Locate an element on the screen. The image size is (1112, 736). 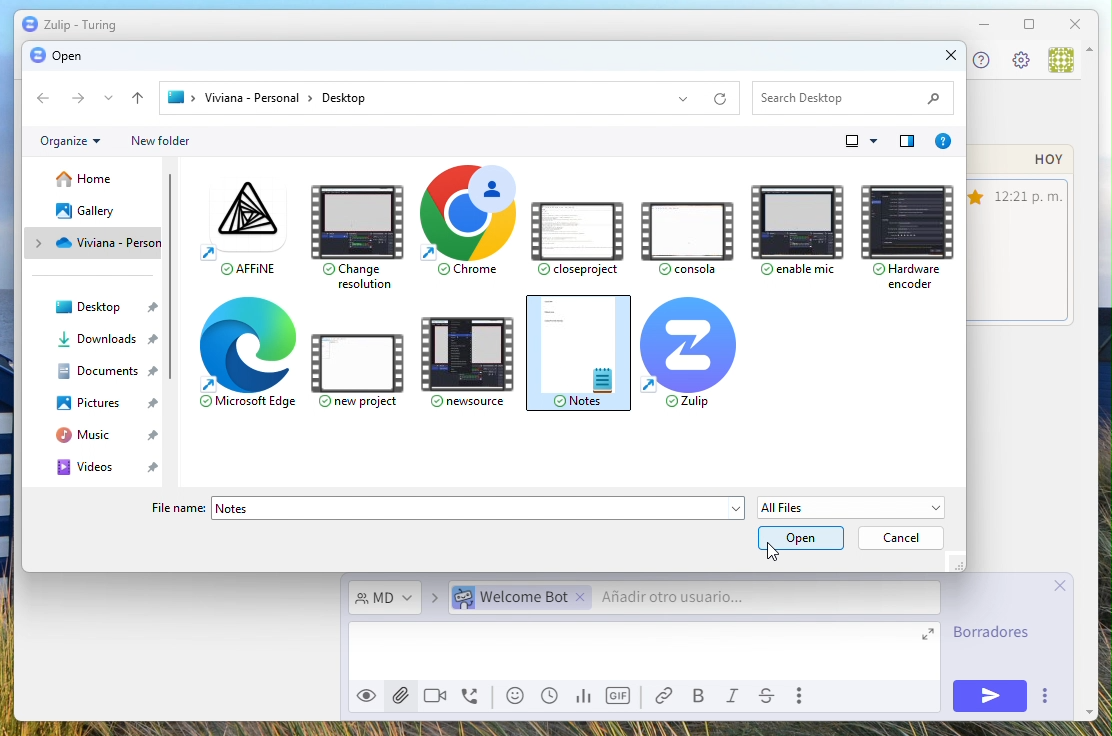
Gif is located at coordinates (620, 696).